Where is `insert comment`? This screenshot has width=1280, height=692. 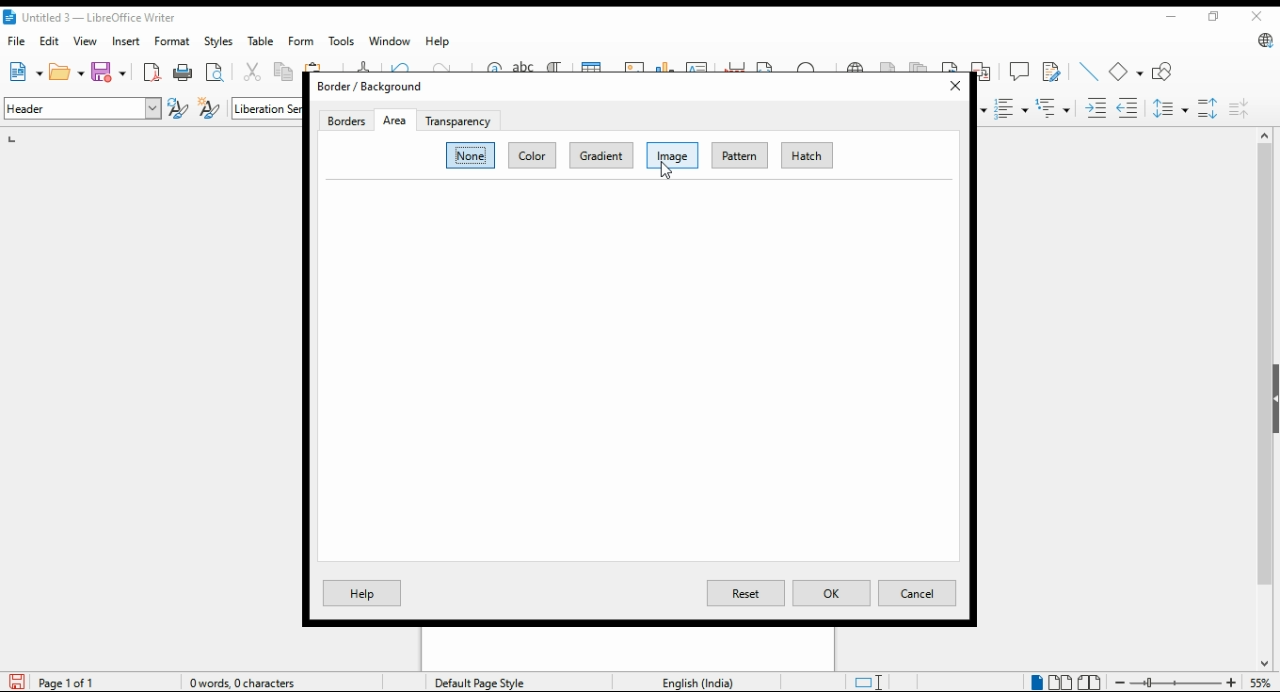 insert comment is located at coordinates (1019, 70).